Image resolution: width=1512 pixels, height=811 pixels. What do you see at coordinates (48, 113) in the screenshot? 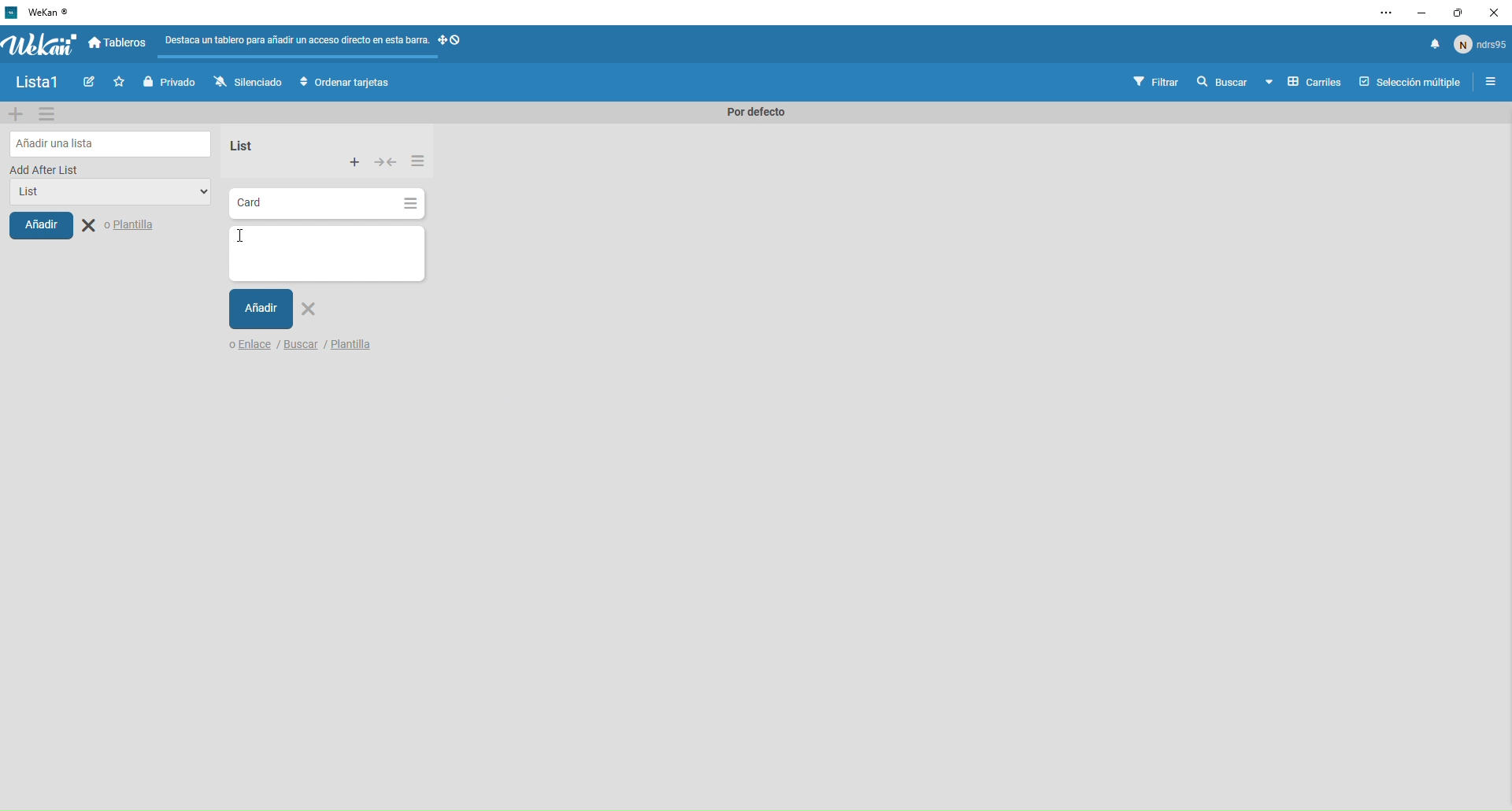
I see `Menu` at bounding box center [48, 113].